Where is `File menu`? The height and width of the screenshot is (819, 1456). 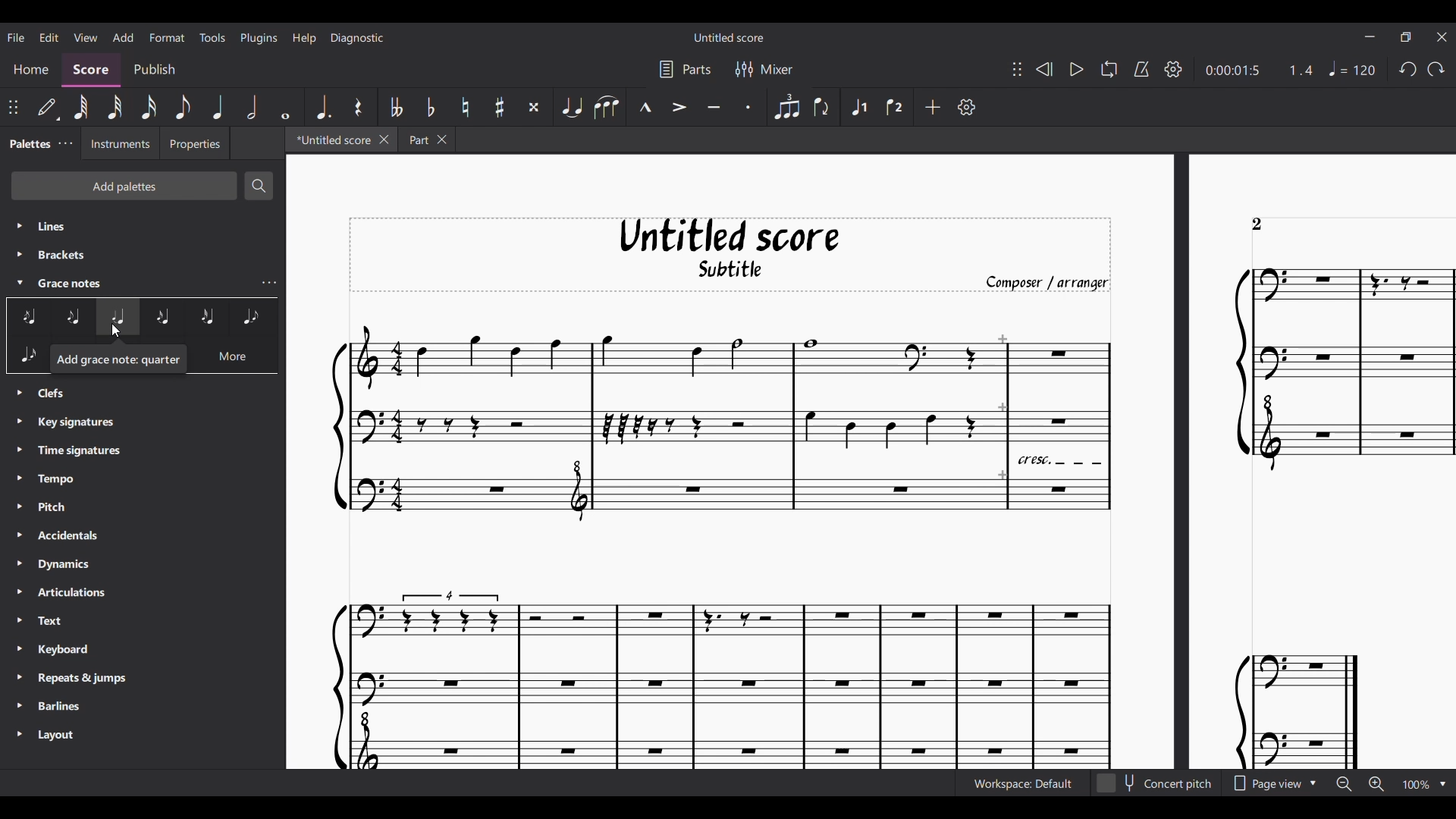
File menu is located at coordinates (16, 37).